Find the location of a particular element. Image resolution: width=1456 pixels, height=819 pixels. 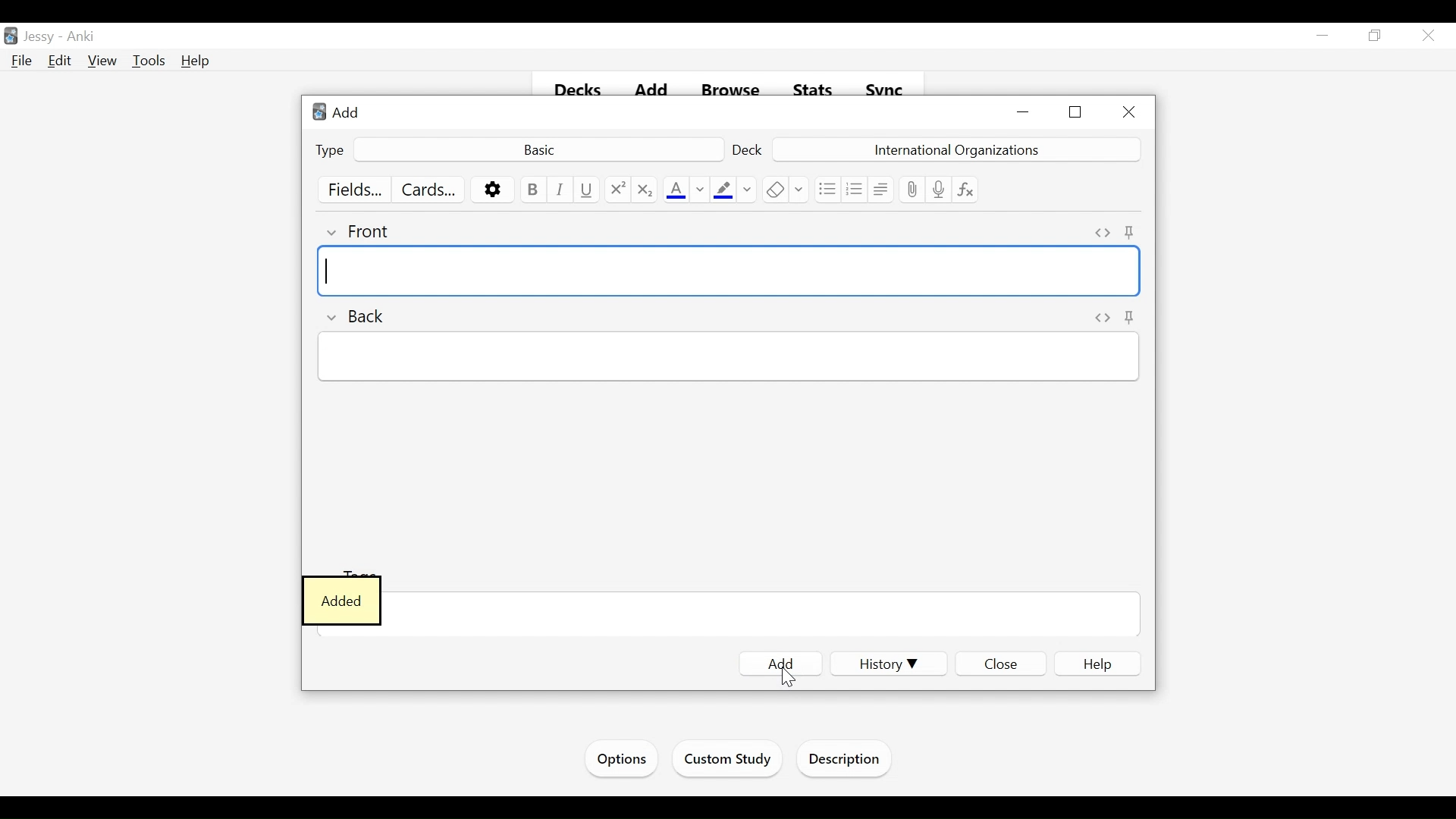

Anki Desktop icon is located at coordinates (11, 37).